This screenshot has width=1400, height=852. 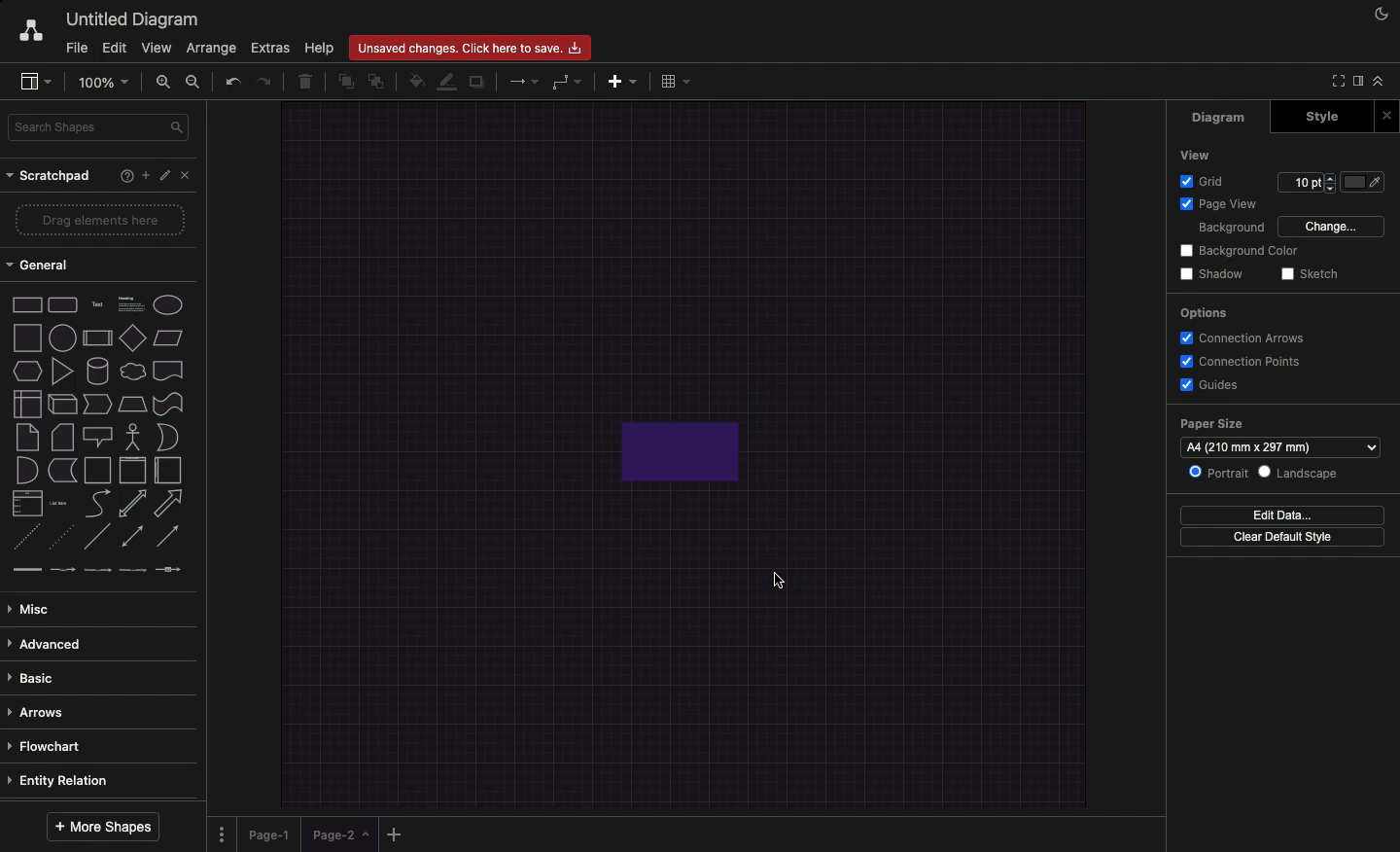 I want to click on rectangle, so click(x=27, y=303).